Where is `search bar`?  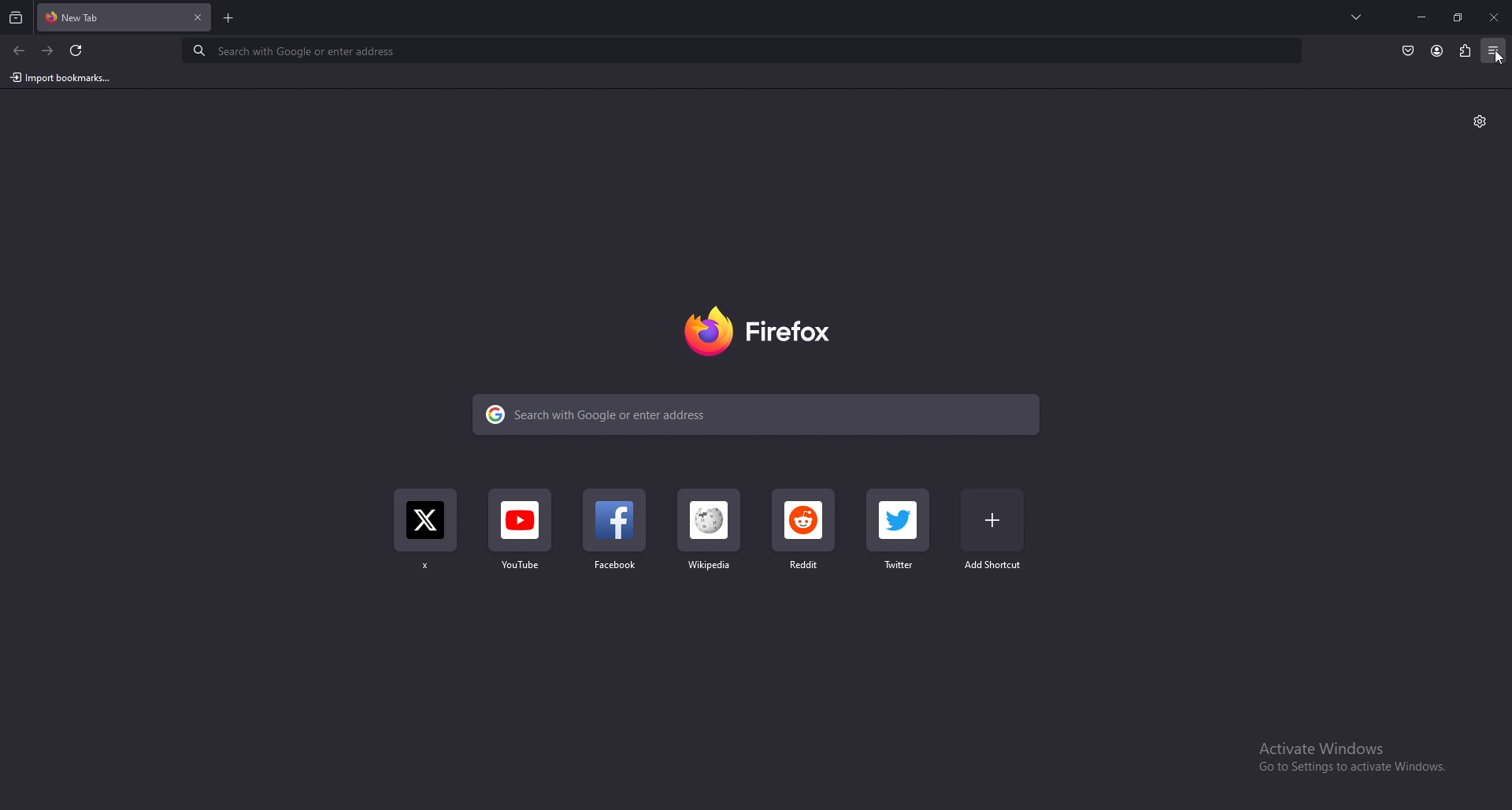 search bar is located at coordinates (743, 51).